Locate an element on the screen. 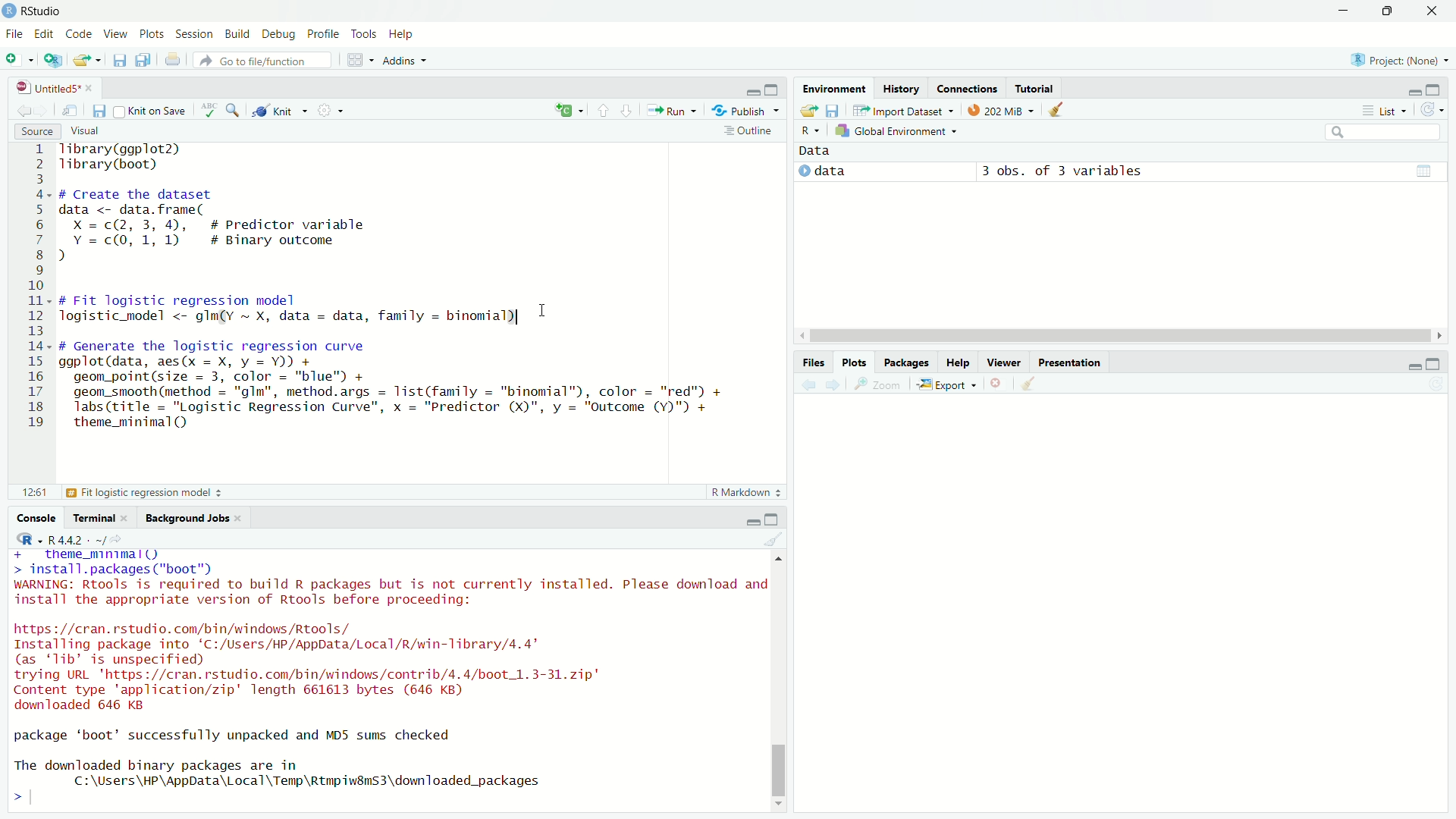  Show in new window is located at coordinates (70, 111).